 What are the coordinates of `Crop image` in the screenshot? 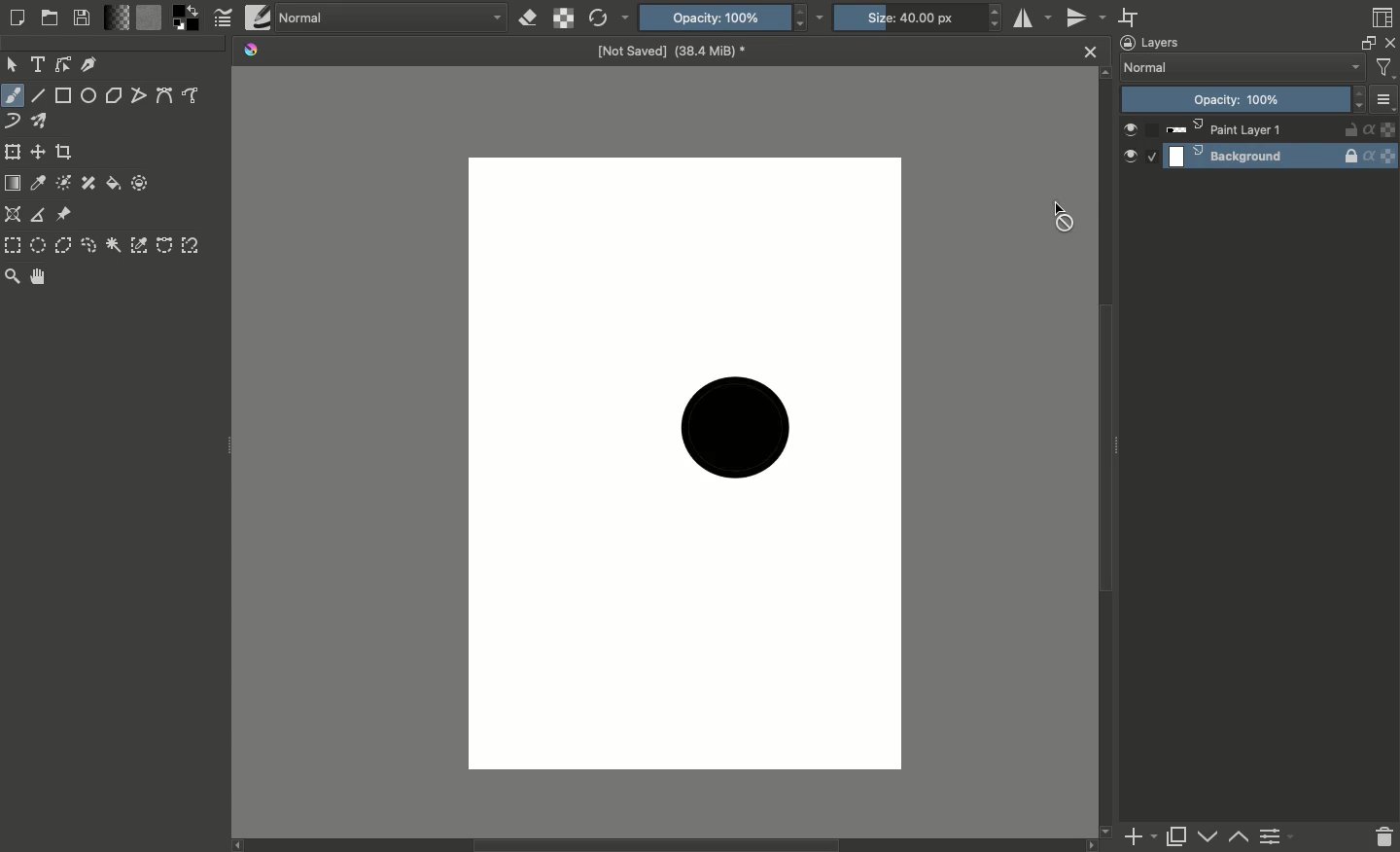 It's located at (75, 150).